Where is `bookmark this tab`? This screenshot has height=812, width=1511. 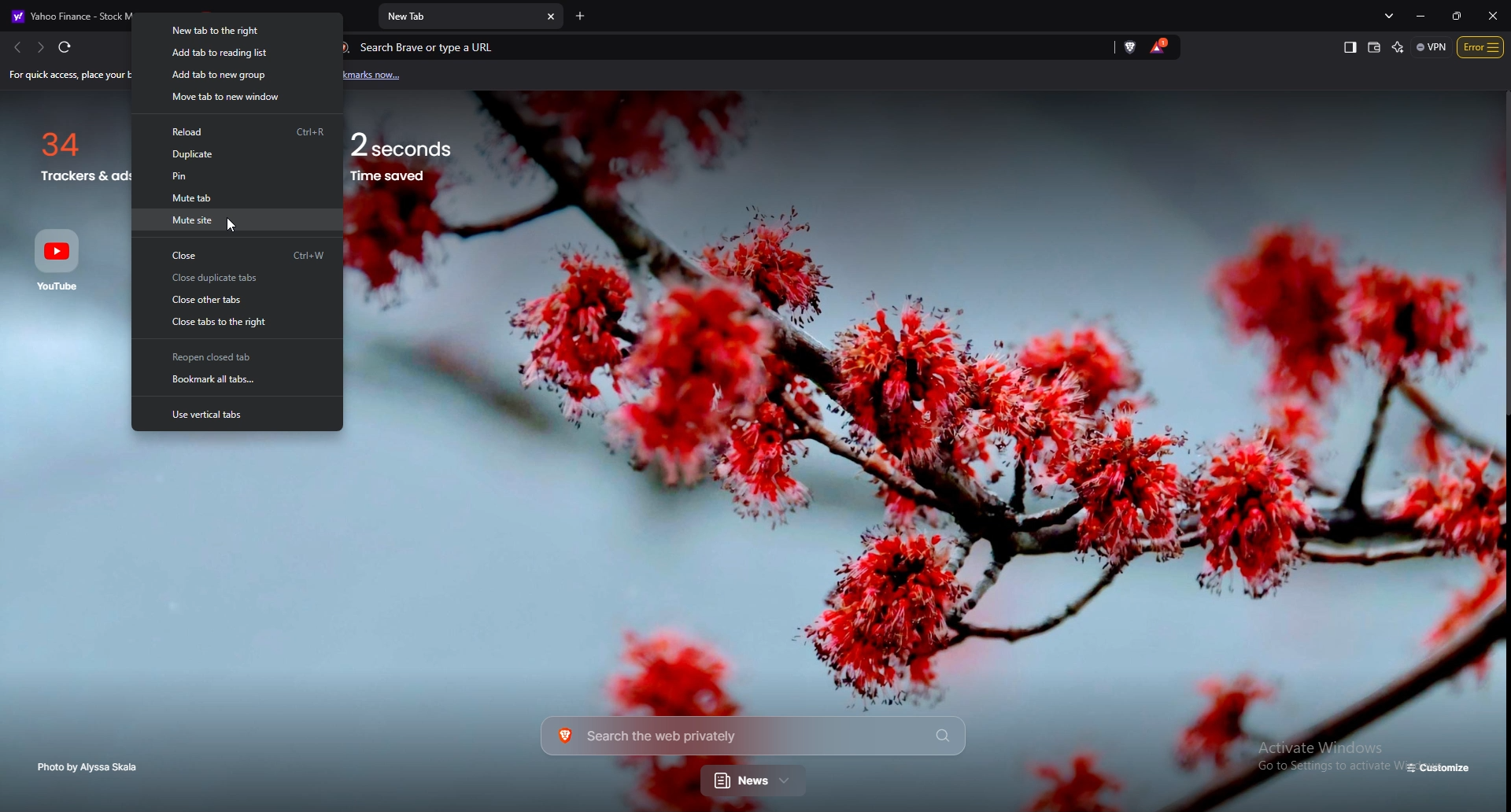
bookmark this tab is located at coordinates (238, 381).